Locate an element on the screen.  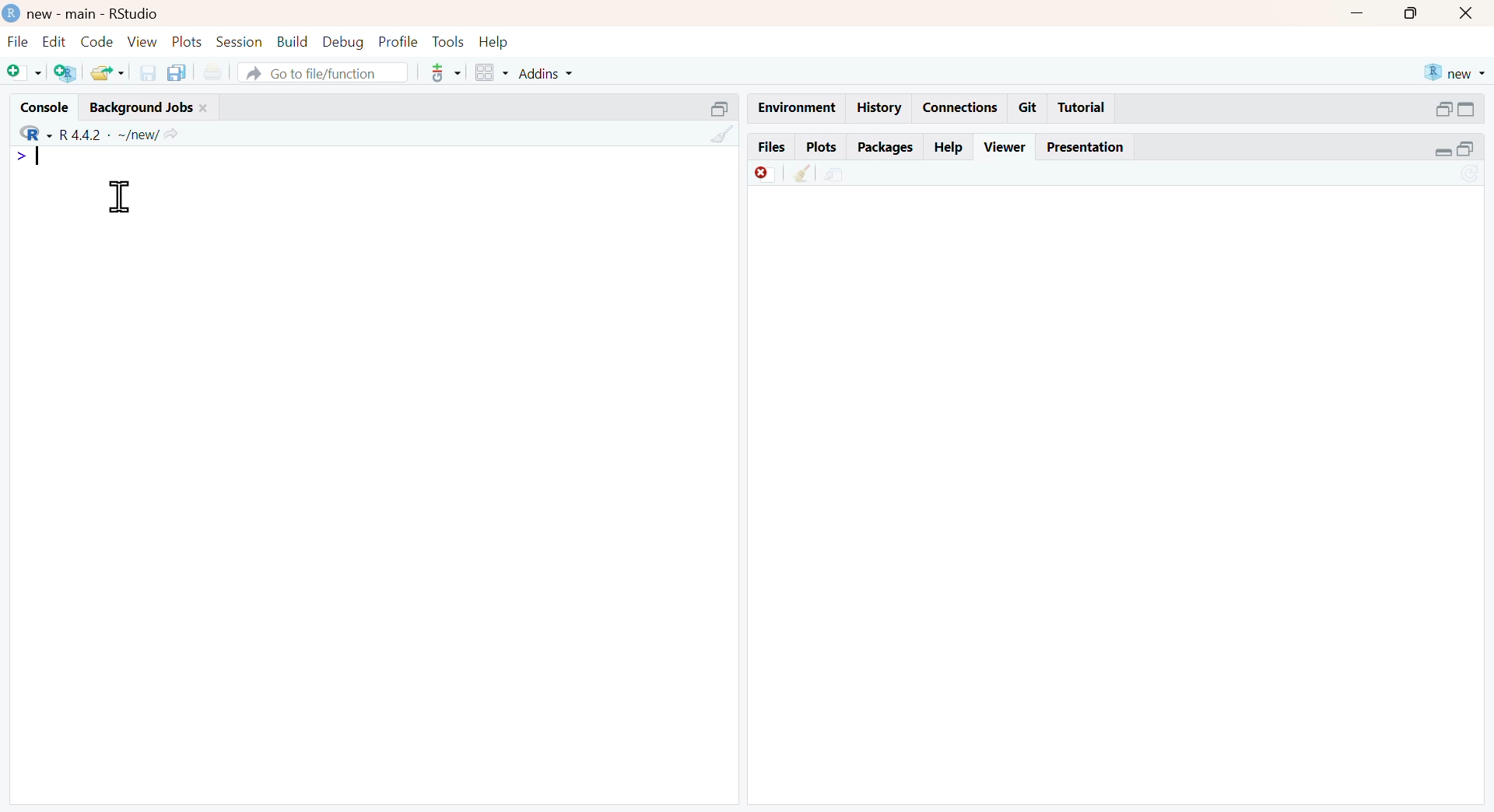
git is located at coordinates (1029, 107).